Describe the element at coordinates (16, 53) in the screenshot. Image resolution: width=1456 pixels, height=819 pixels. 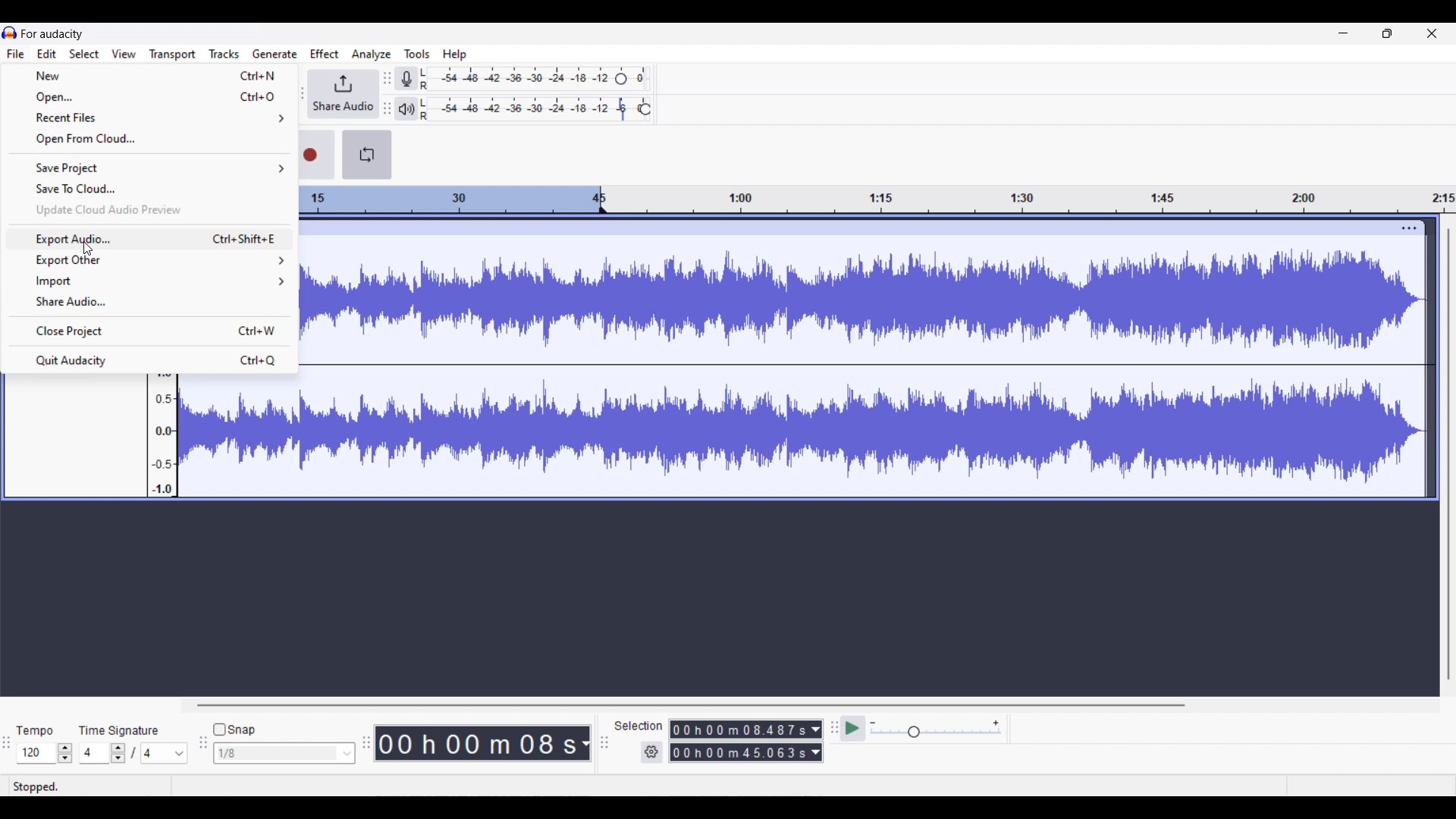
I see `File menu` at that location.